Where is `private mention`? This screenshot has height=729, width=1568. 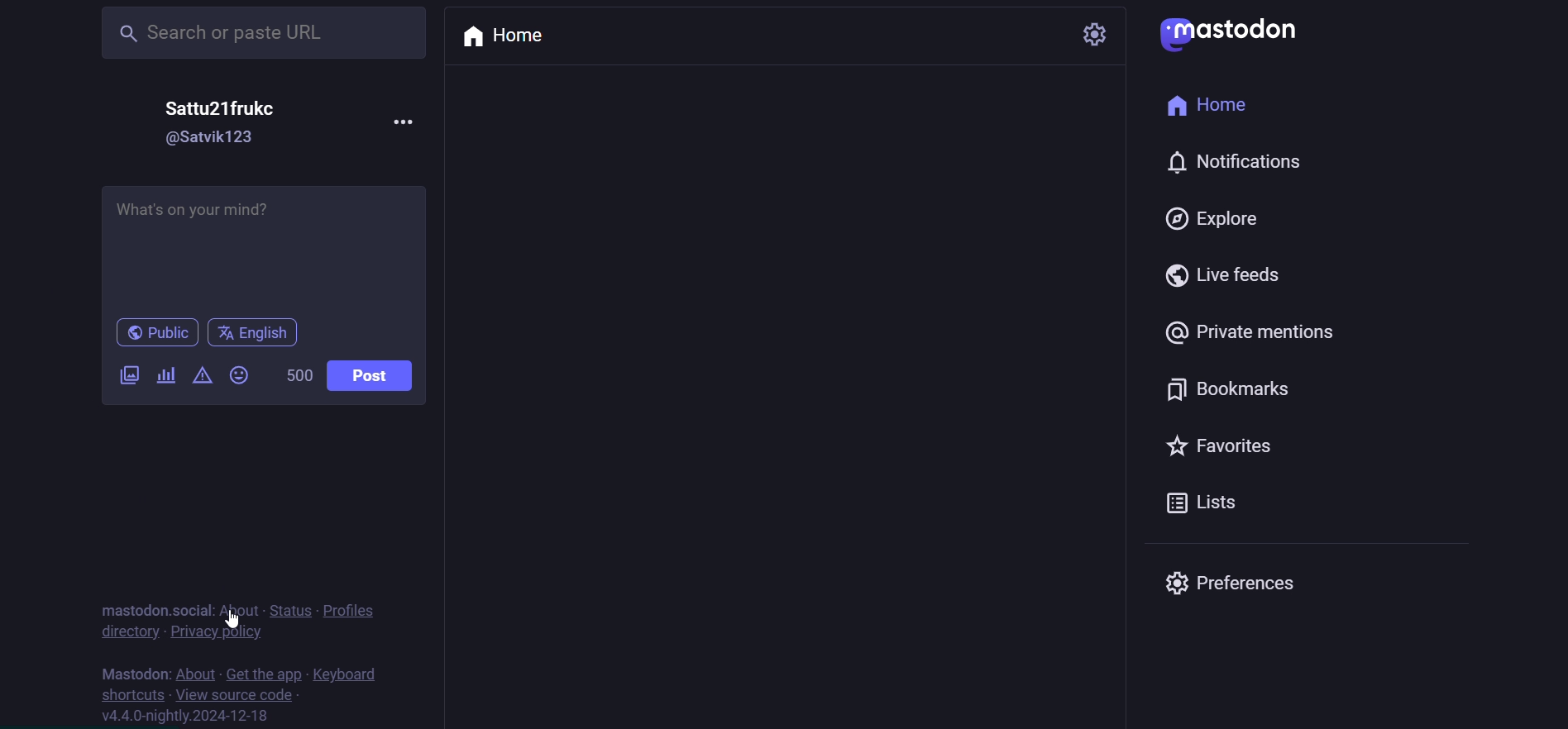 private mention is located at coordinates (1262, 327).